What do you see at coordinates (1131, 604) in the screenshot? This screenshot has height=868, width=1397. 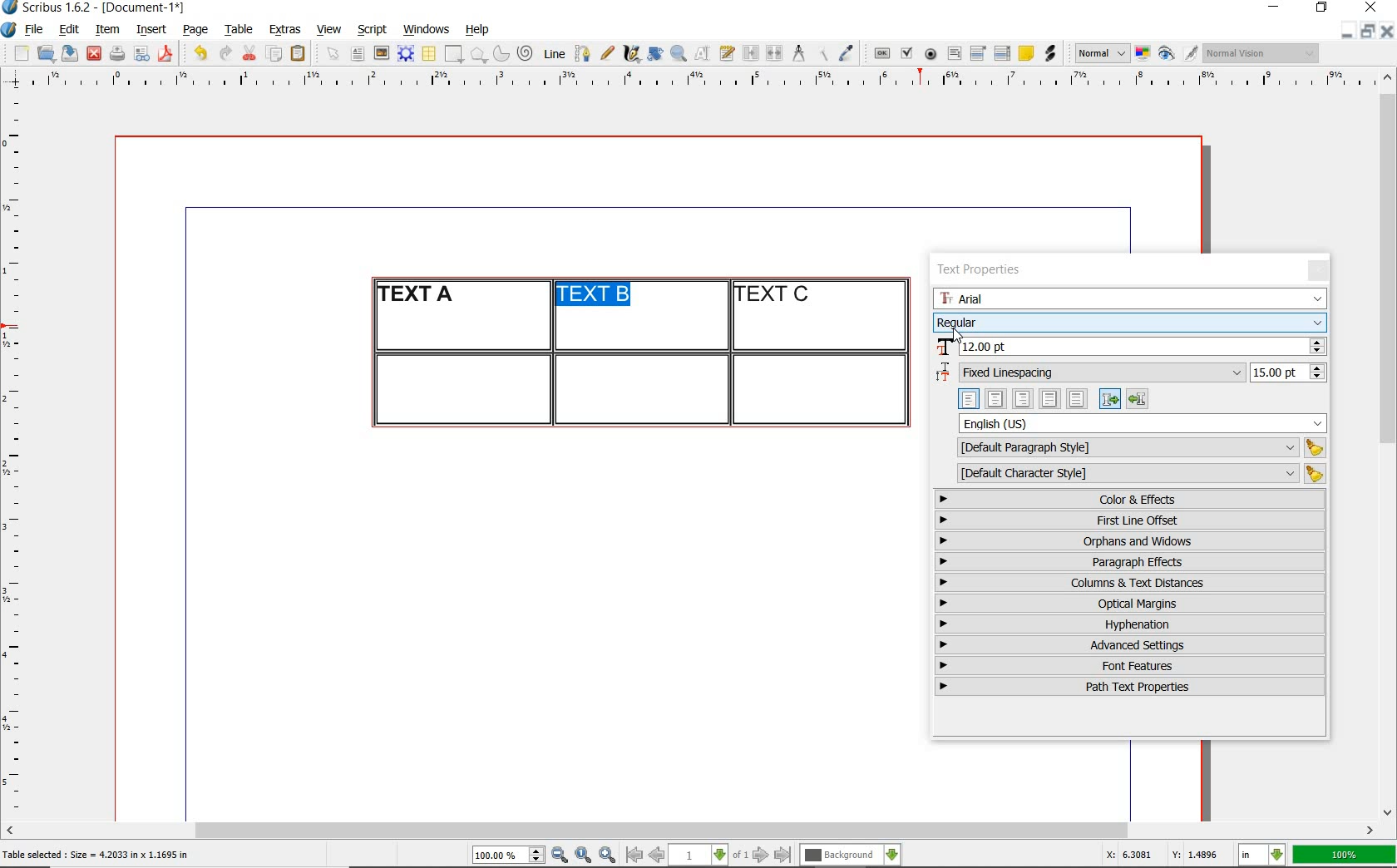 I see `optical margins` at bounding box center [1131, 604].